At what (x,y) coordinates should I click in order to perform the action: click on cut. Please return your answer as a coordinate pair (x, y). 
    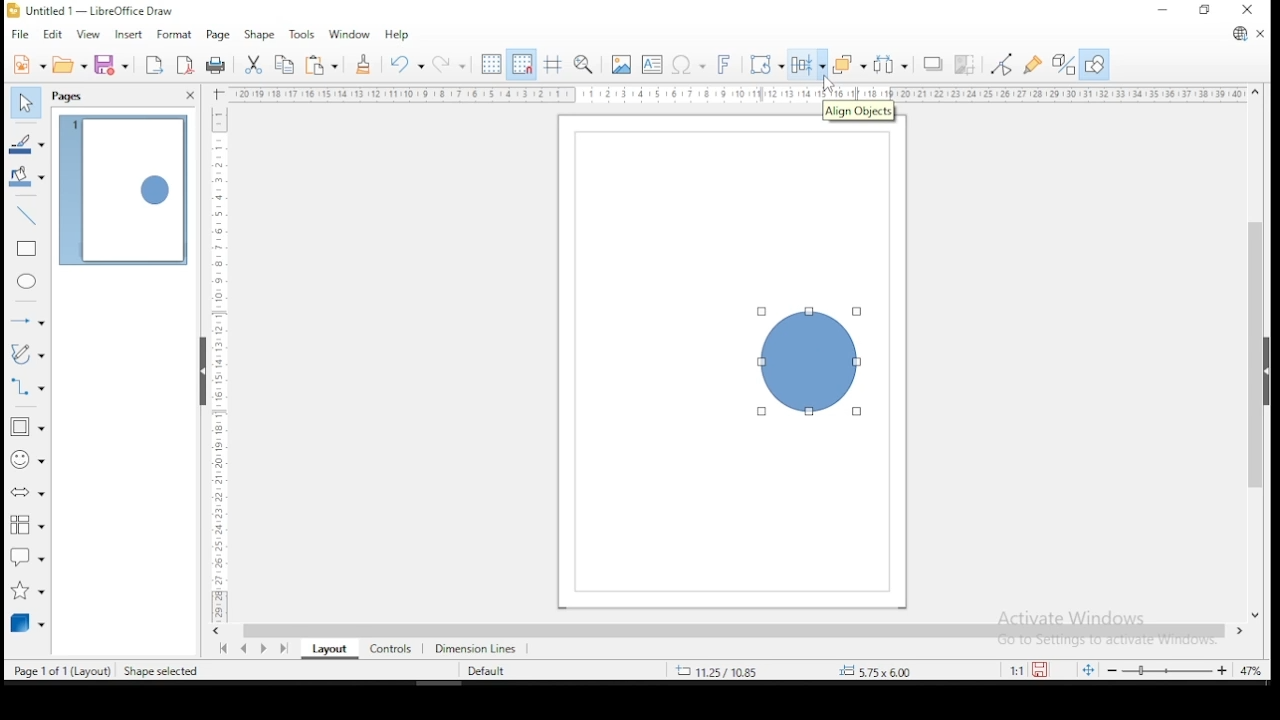
    Looking at the image, I should click on (252, 65).